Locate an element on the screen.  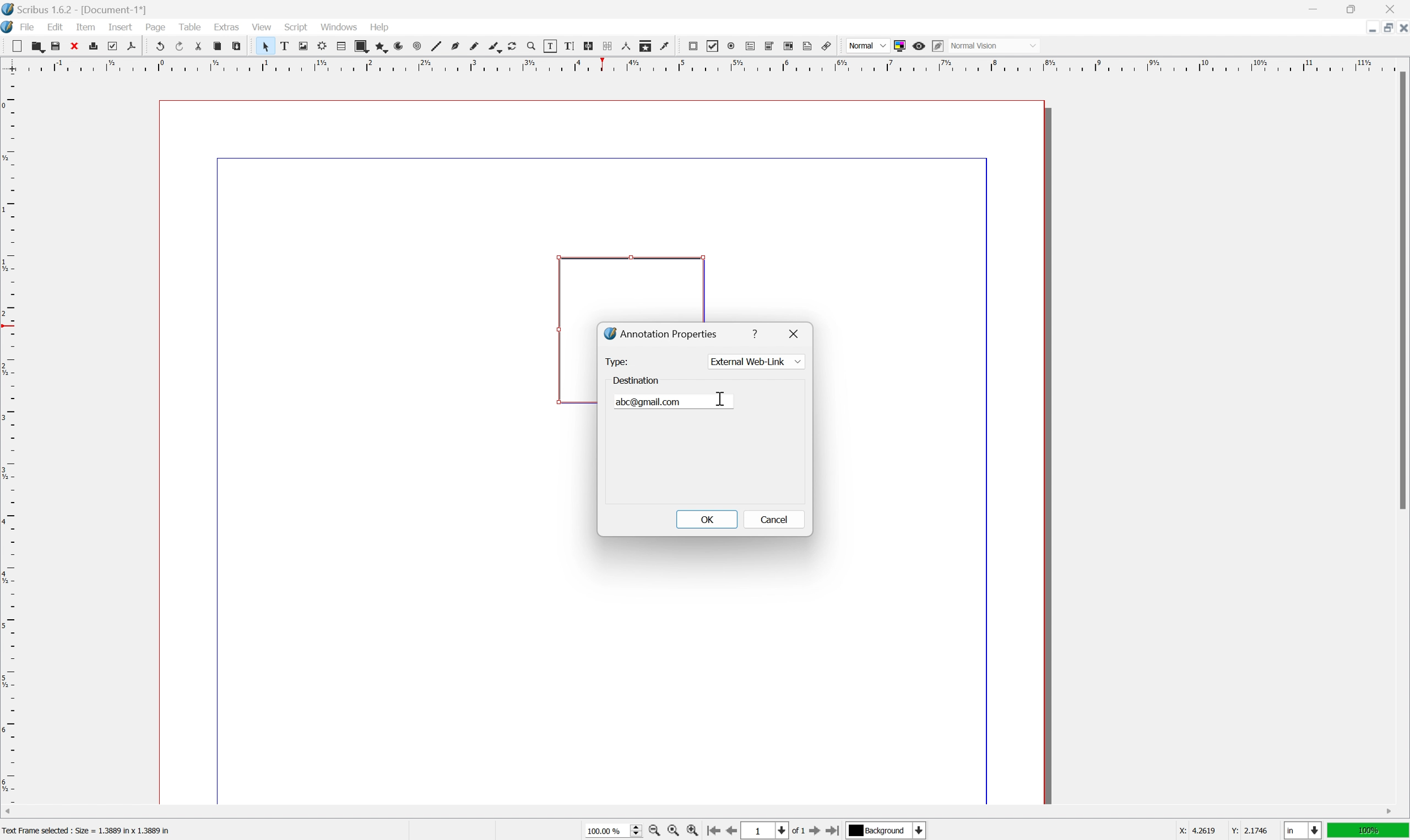
pdf push button is located at coordinates (693, 46).